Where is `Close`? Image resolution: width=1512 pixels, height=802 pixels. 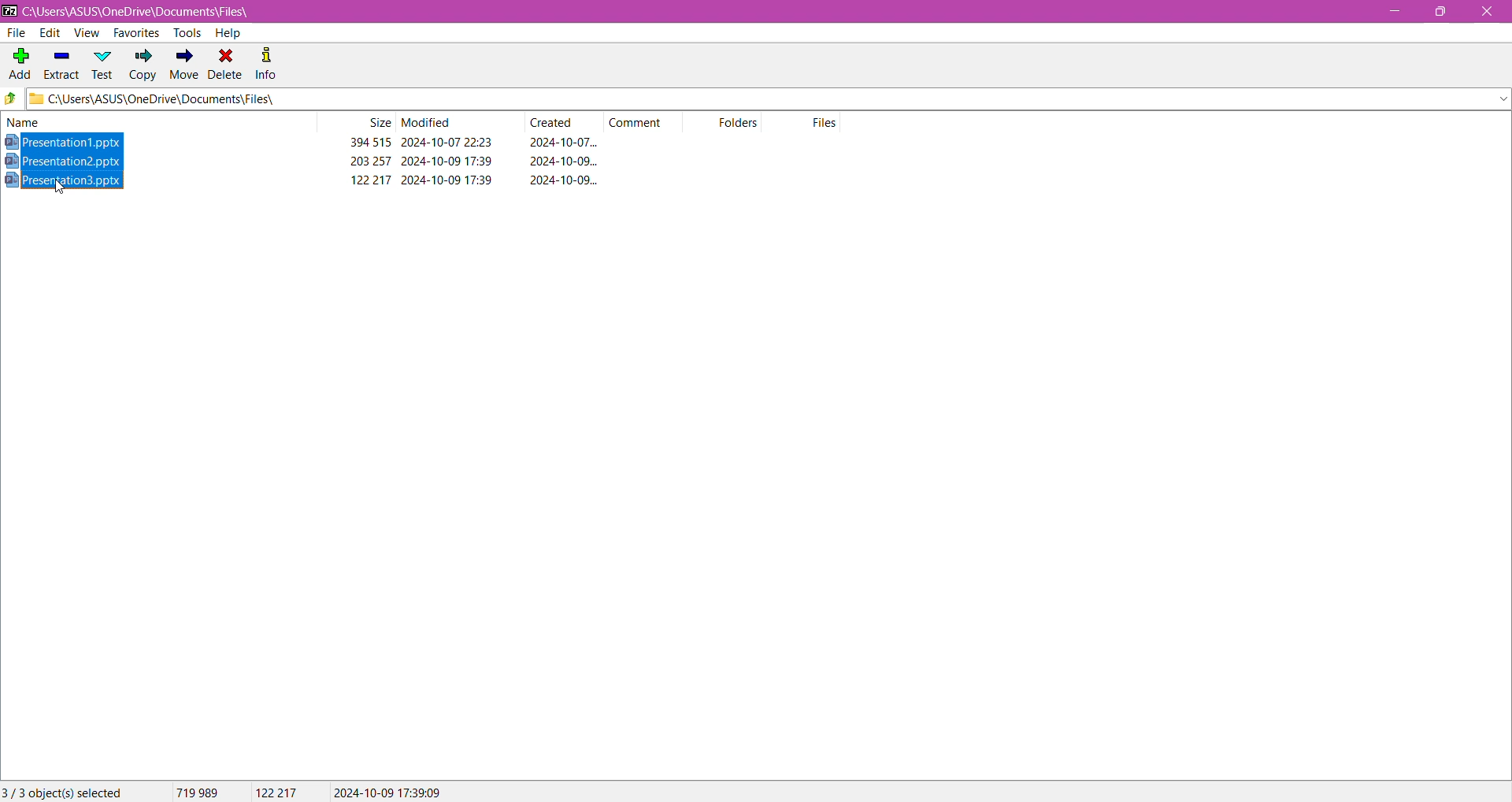
Close is located at coordinates (1487, 13).